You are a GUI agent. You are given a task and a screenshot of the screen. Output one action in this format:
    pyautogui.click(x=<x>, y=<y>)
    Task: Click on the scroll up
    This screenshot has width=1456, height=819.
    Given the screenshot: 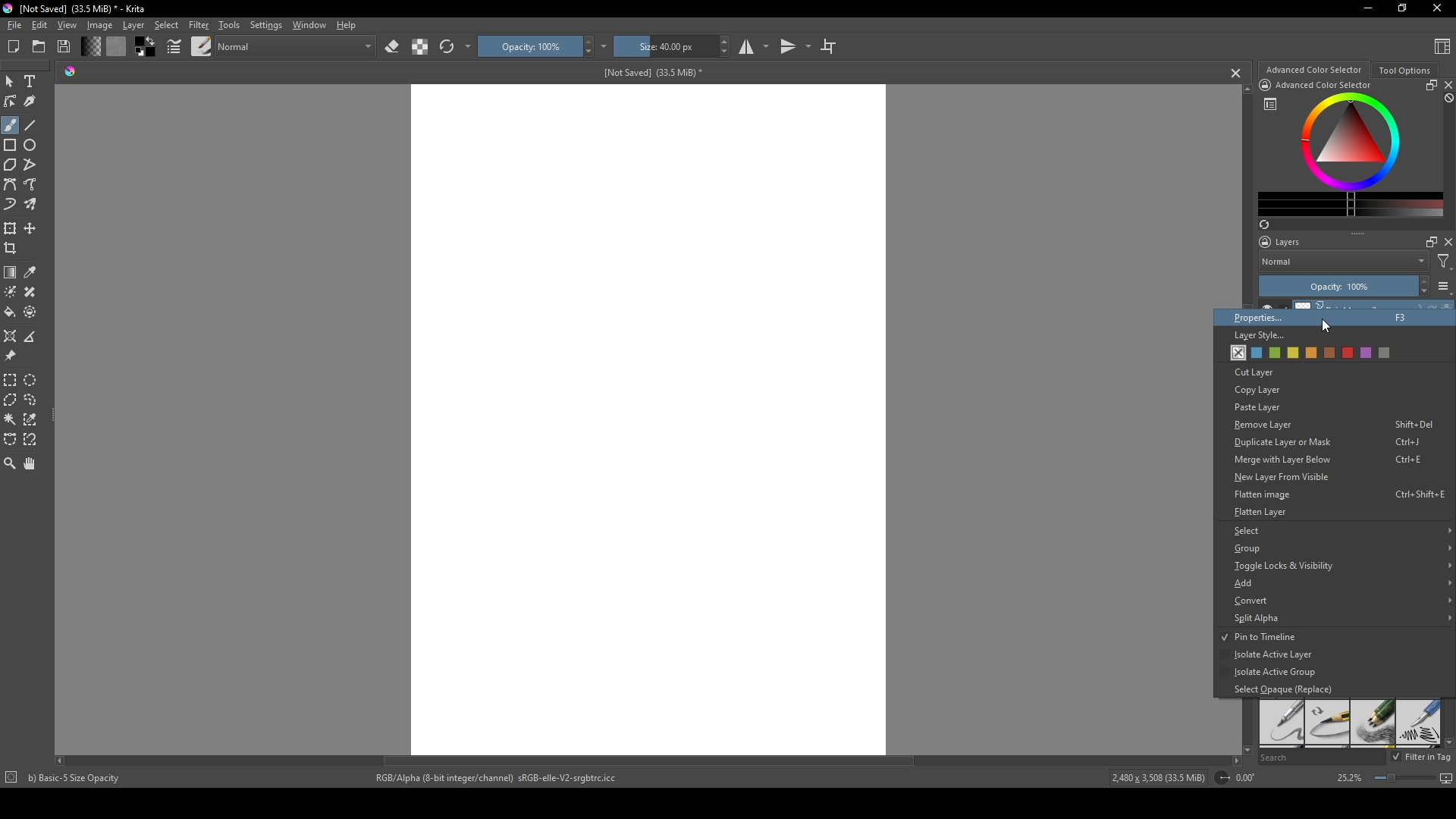 What is the action you would take?
    pyautogui.click(x=1244, y=89)
    